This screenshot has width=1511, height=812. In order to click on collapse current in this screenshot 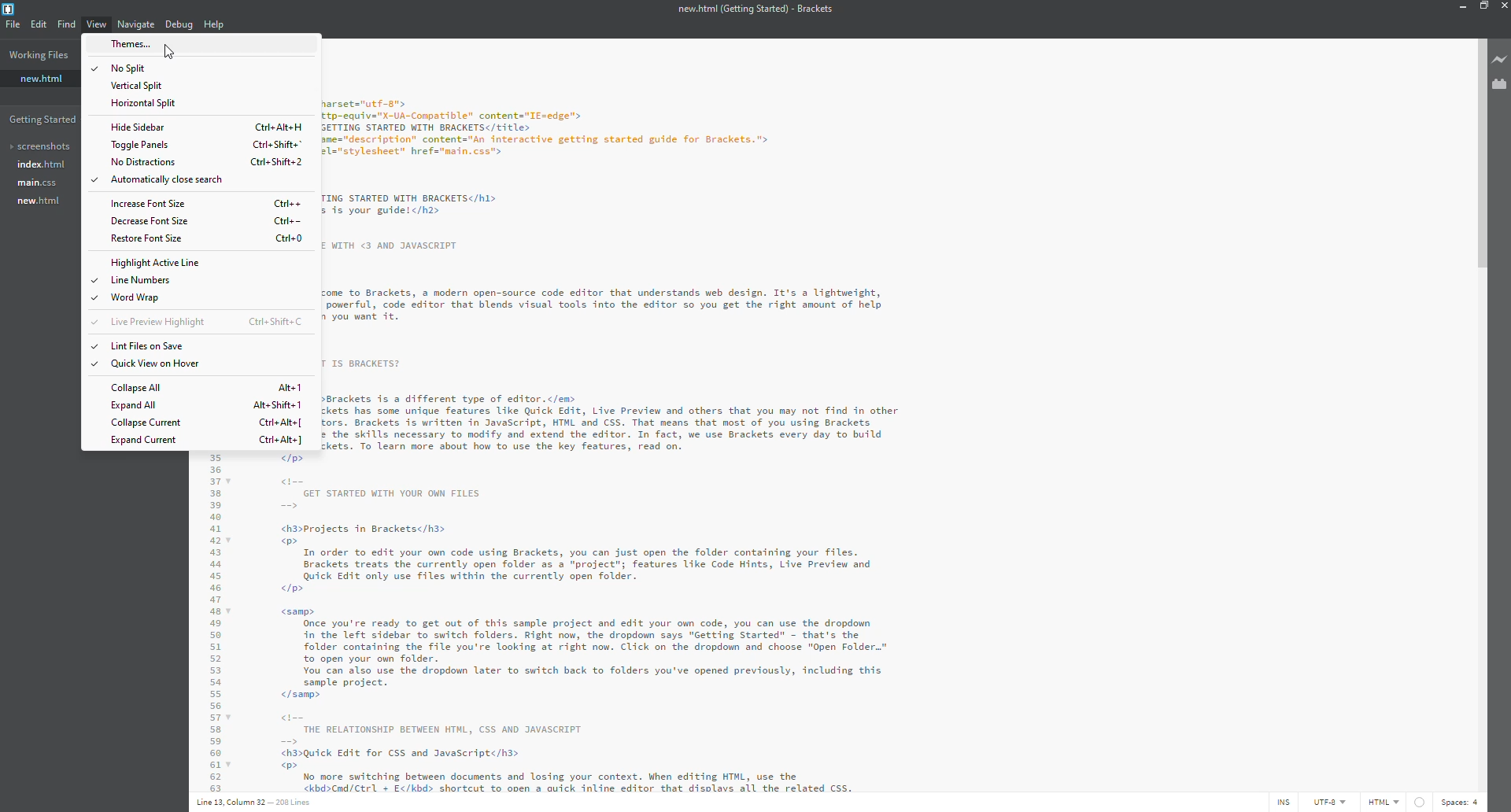, I will do `click(148, 422)`.